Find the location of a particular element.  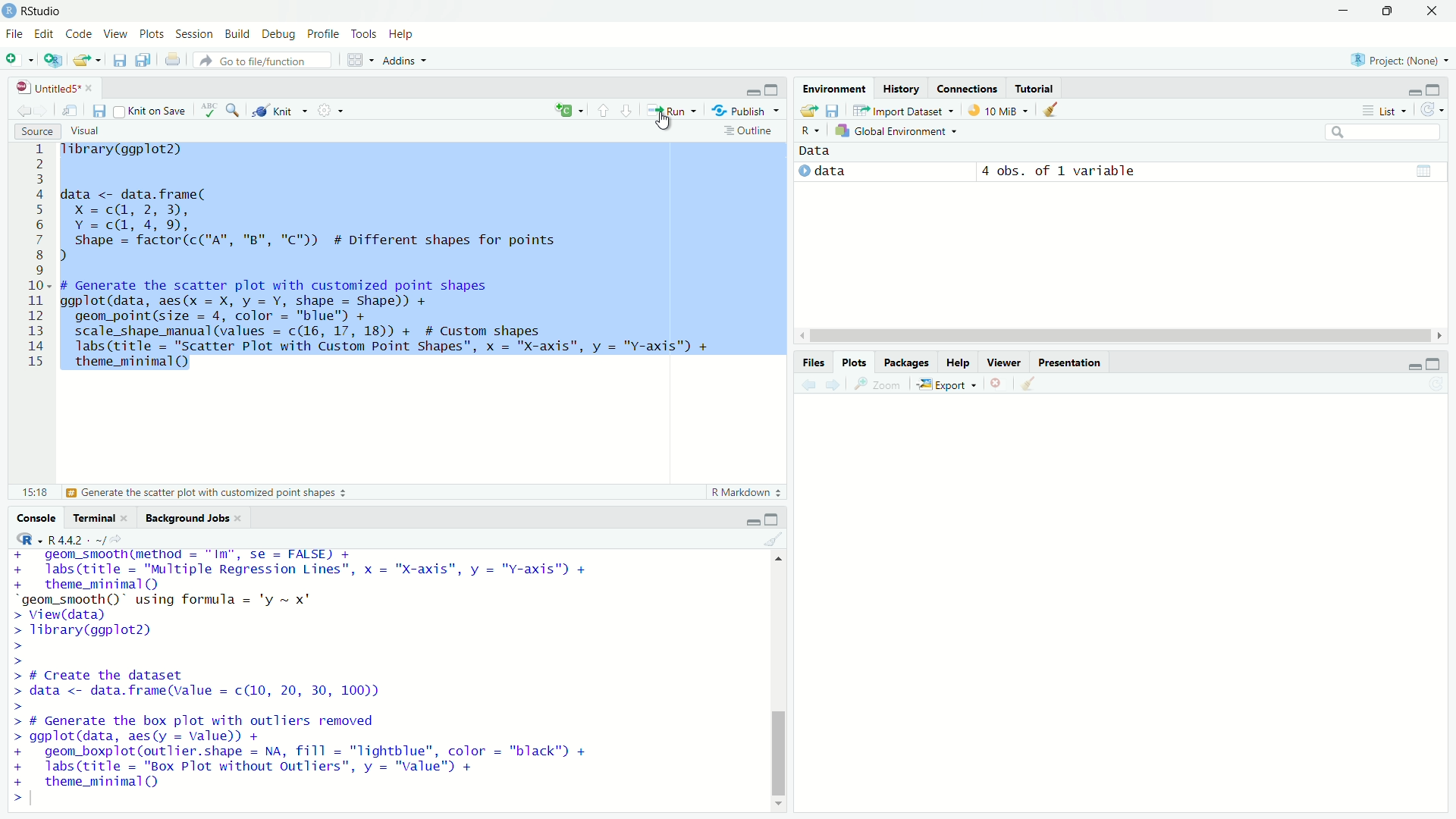

horizontal scroll bar is located at coordinates (1121, 335).